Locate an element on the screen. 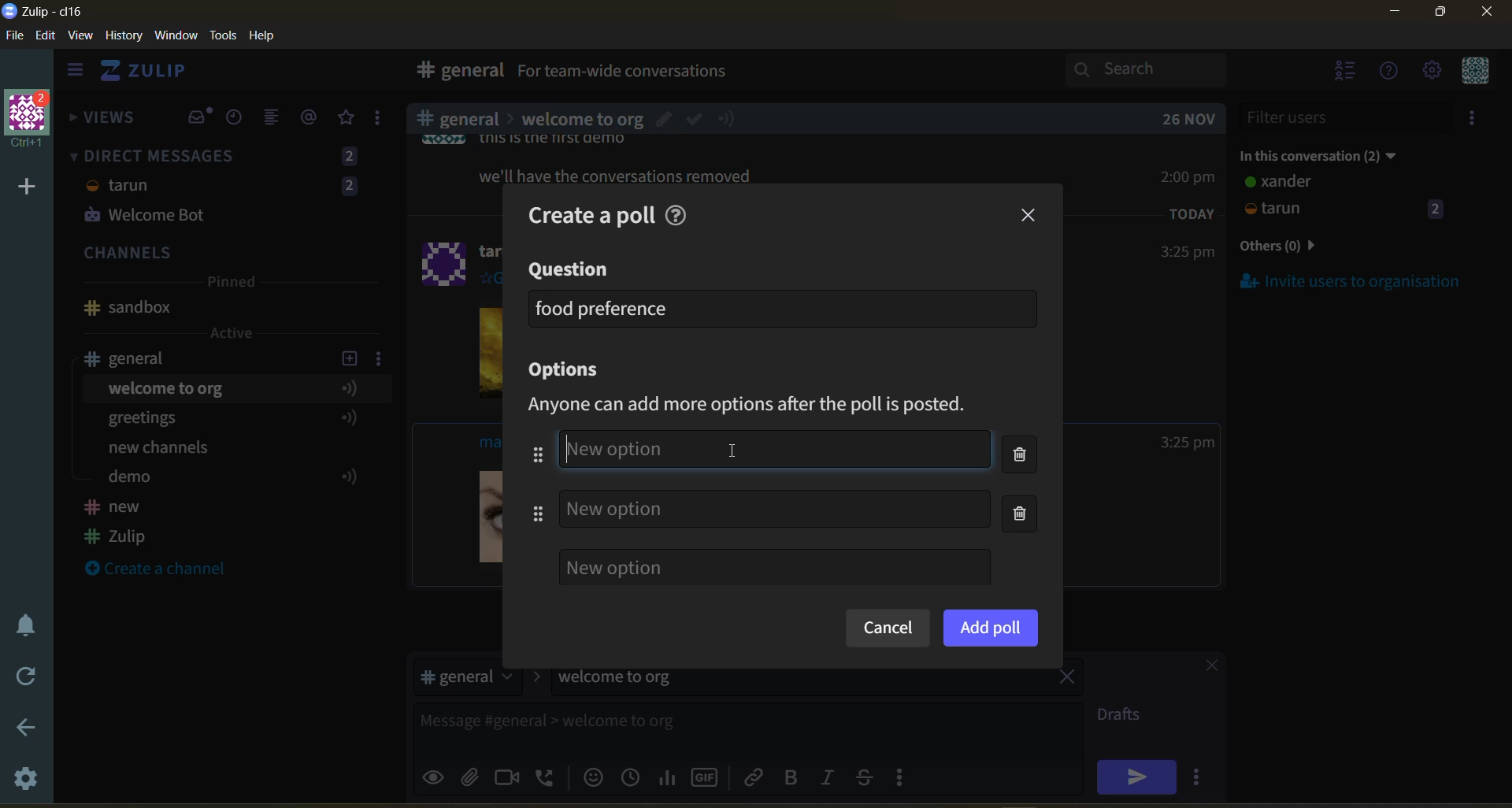 This screenshot has height=808, width=1512. channel name is located at coordinates (136, 358).